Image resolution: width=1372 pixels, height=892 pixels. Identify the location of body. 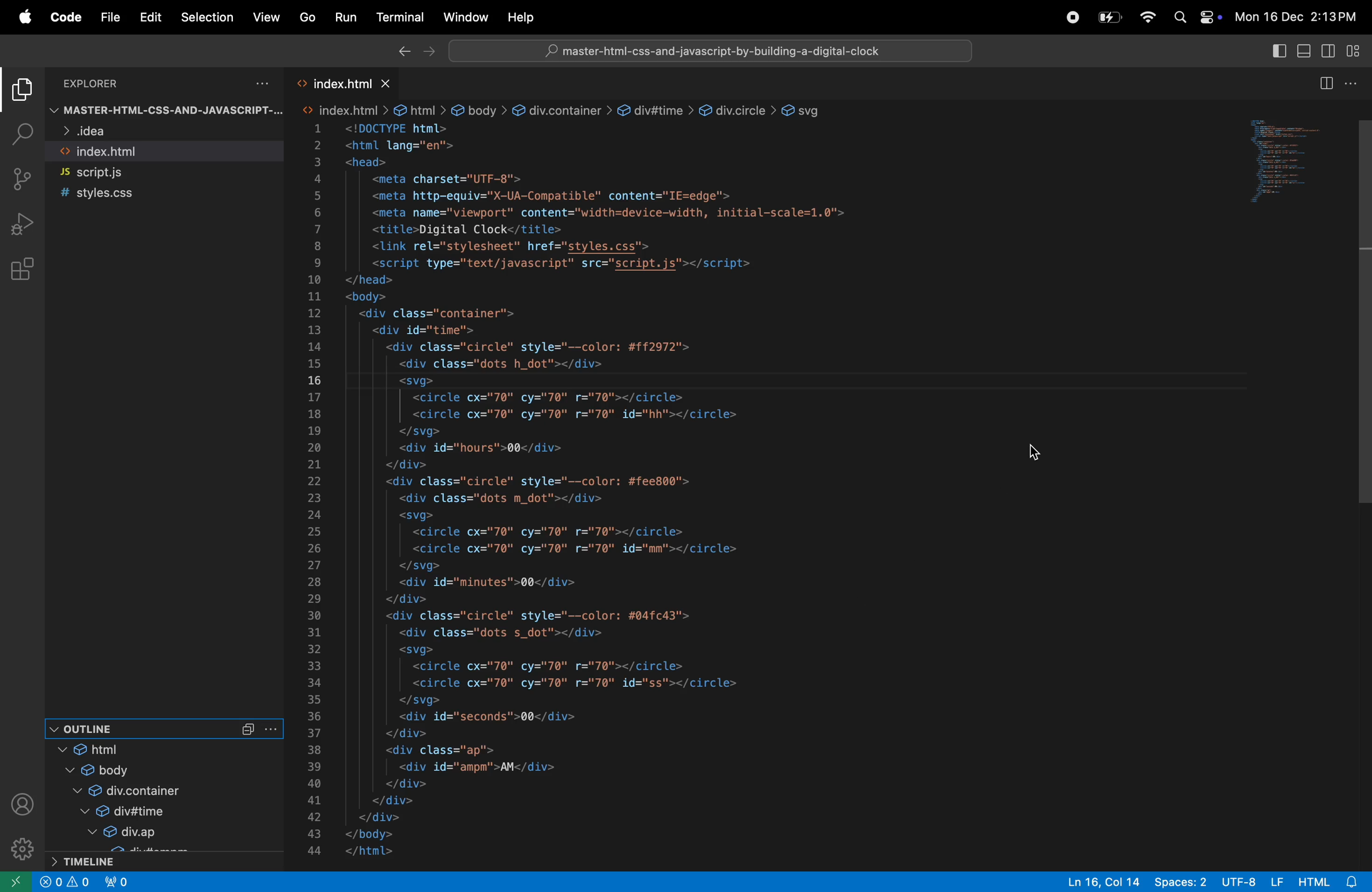
(480, 112).